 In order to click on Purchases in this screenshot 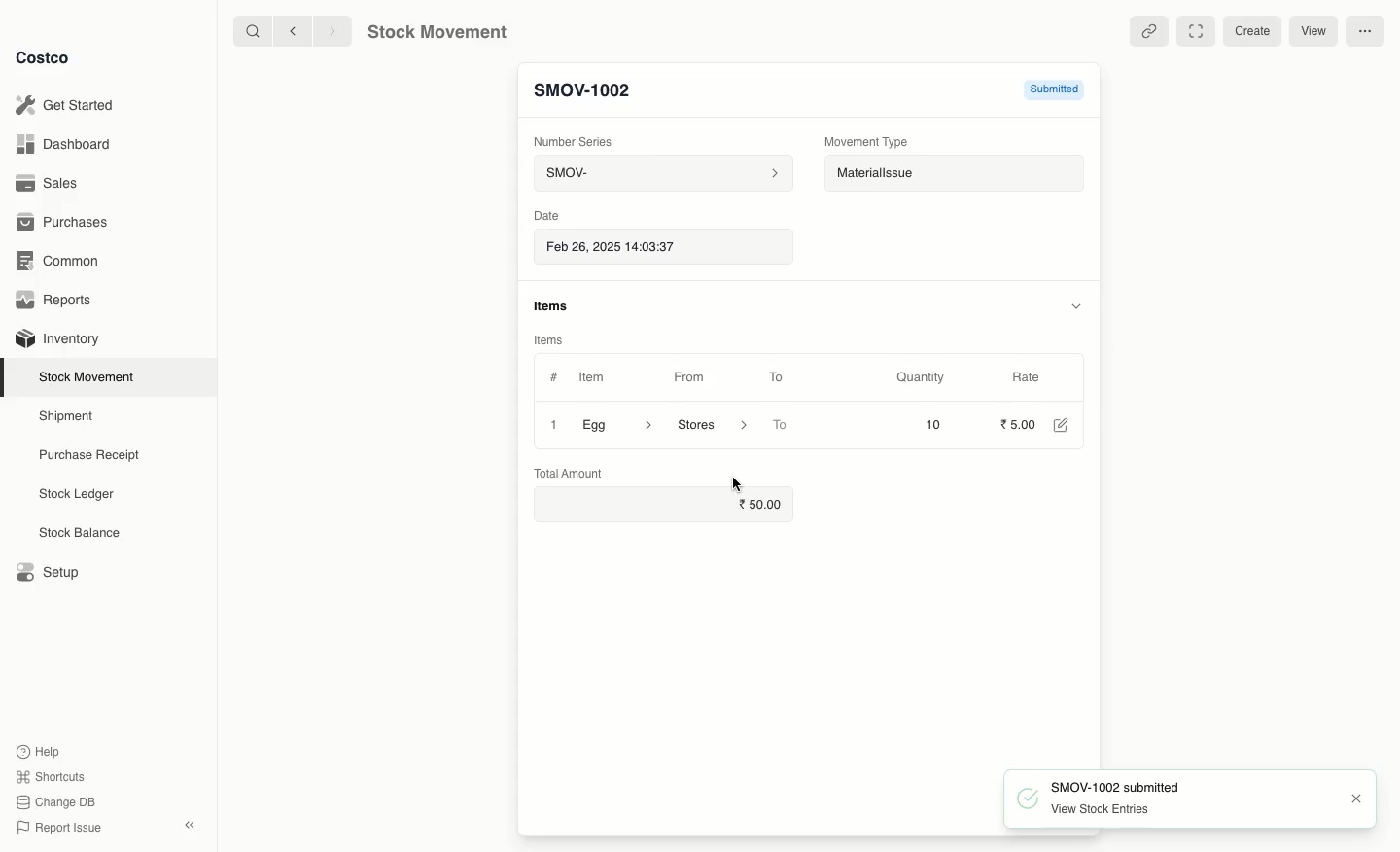, I will do `click(66, 224)`.